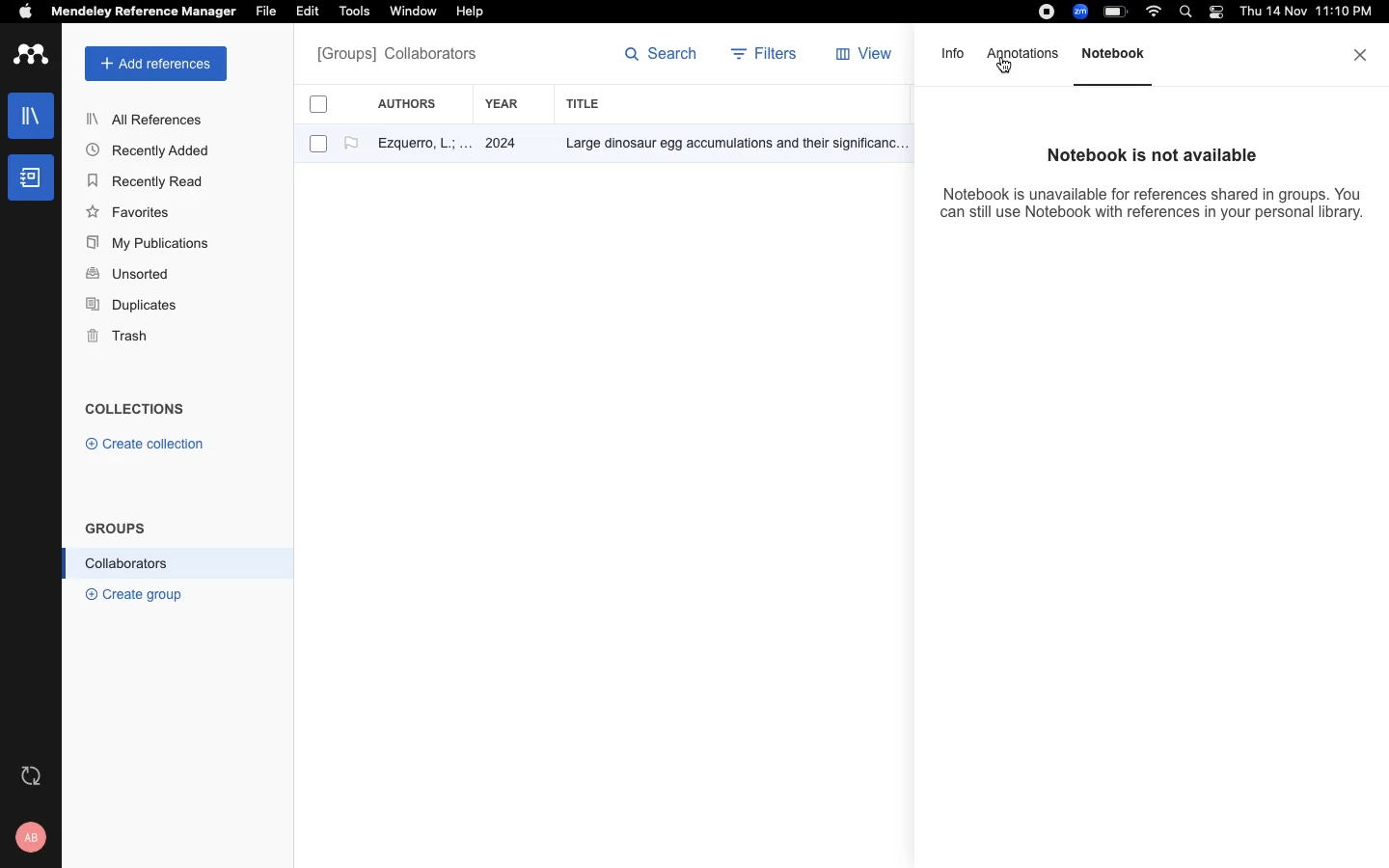 Image resolution: width=1389 pixels, height=868 pixels. What do you see at coordinates (868, 58) in the screenshot?
I see `view` at bounding box center [868, 58].